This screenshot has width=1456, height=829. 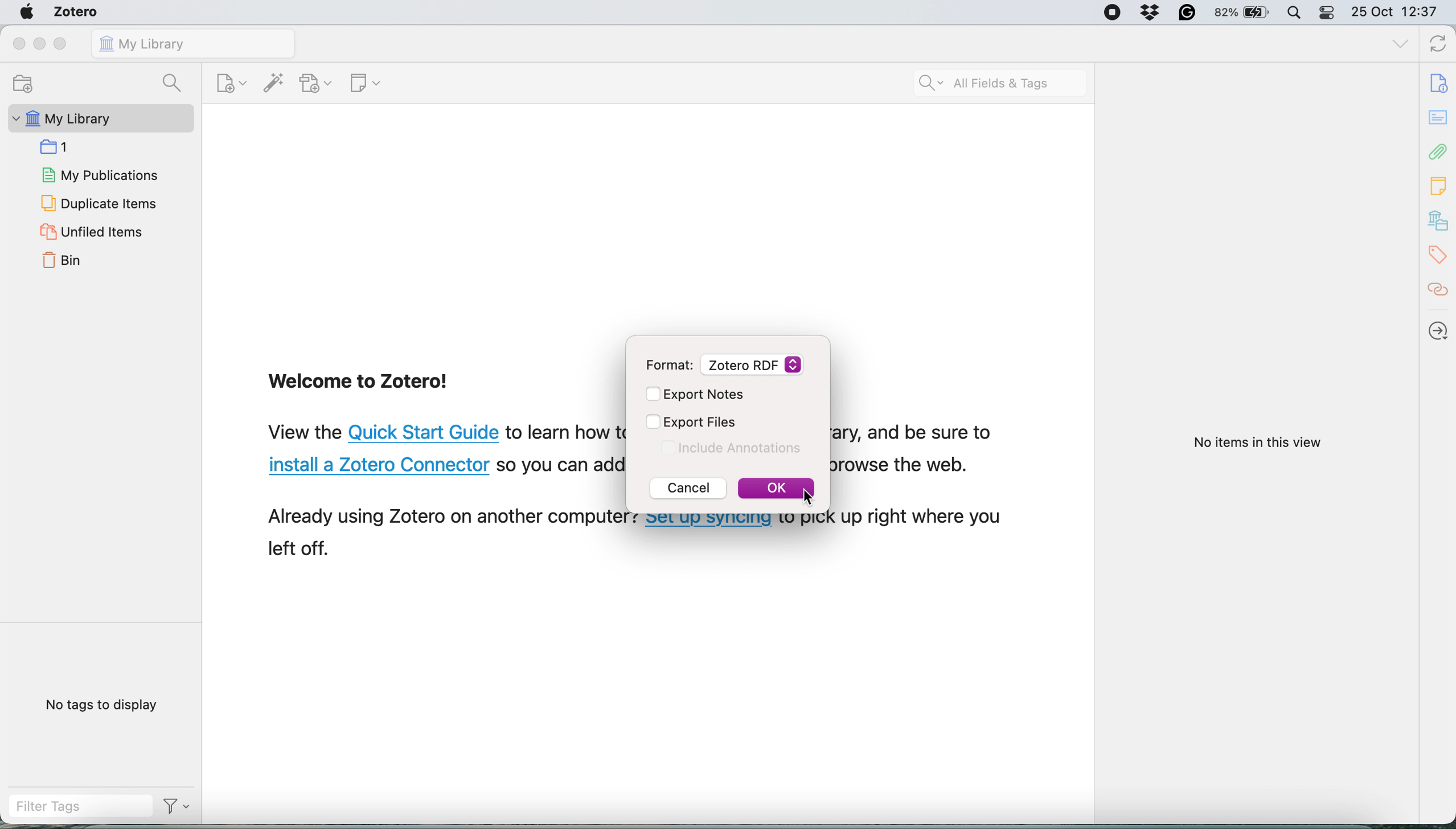 What do you see at coordinates (91, 233) in the screenshot?
I see `unfiled items` at bounding box center [91, 233].